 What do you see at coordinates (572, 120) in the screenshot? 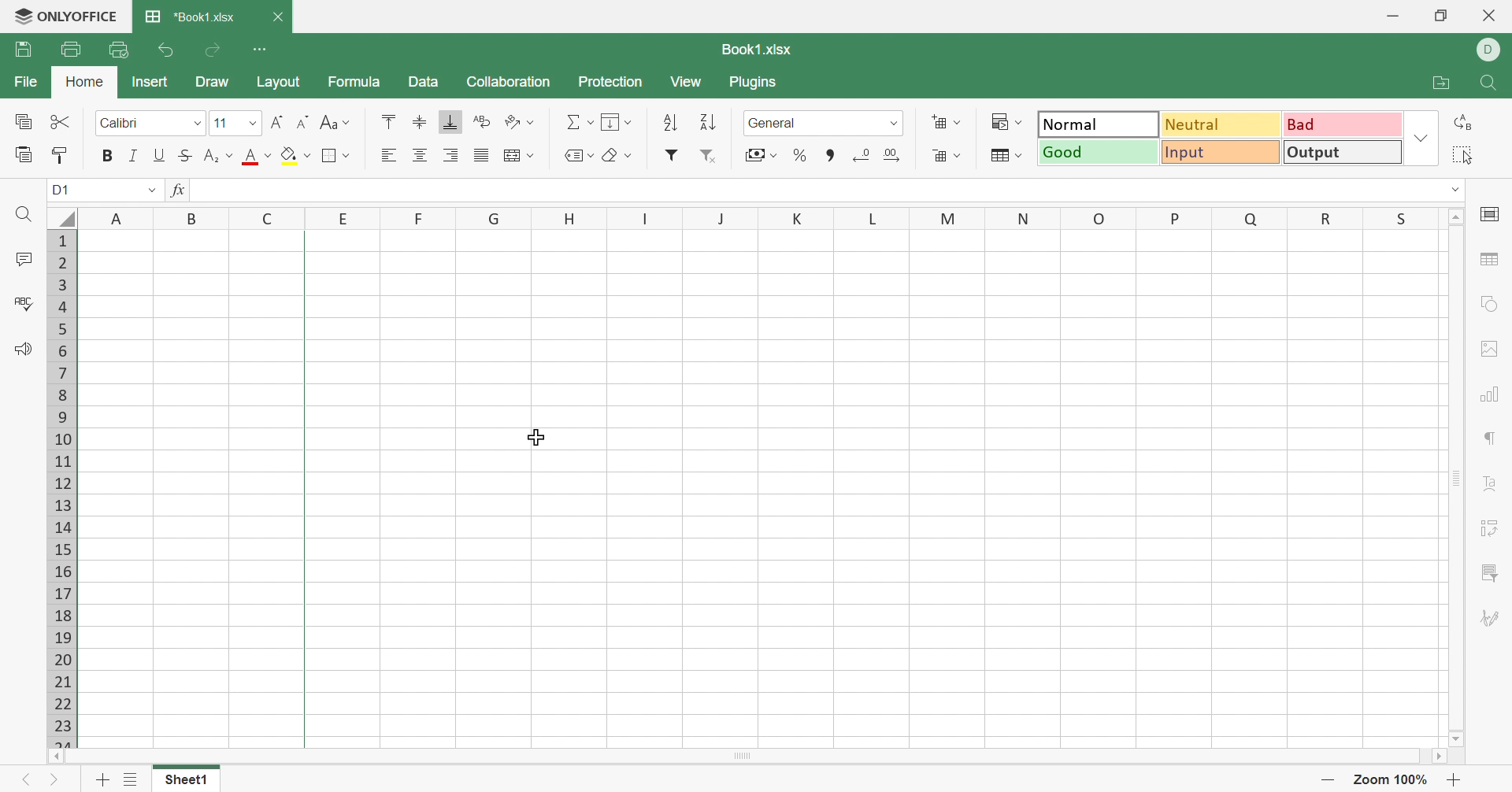
I see `Summation` at bounding box center [572, 120].